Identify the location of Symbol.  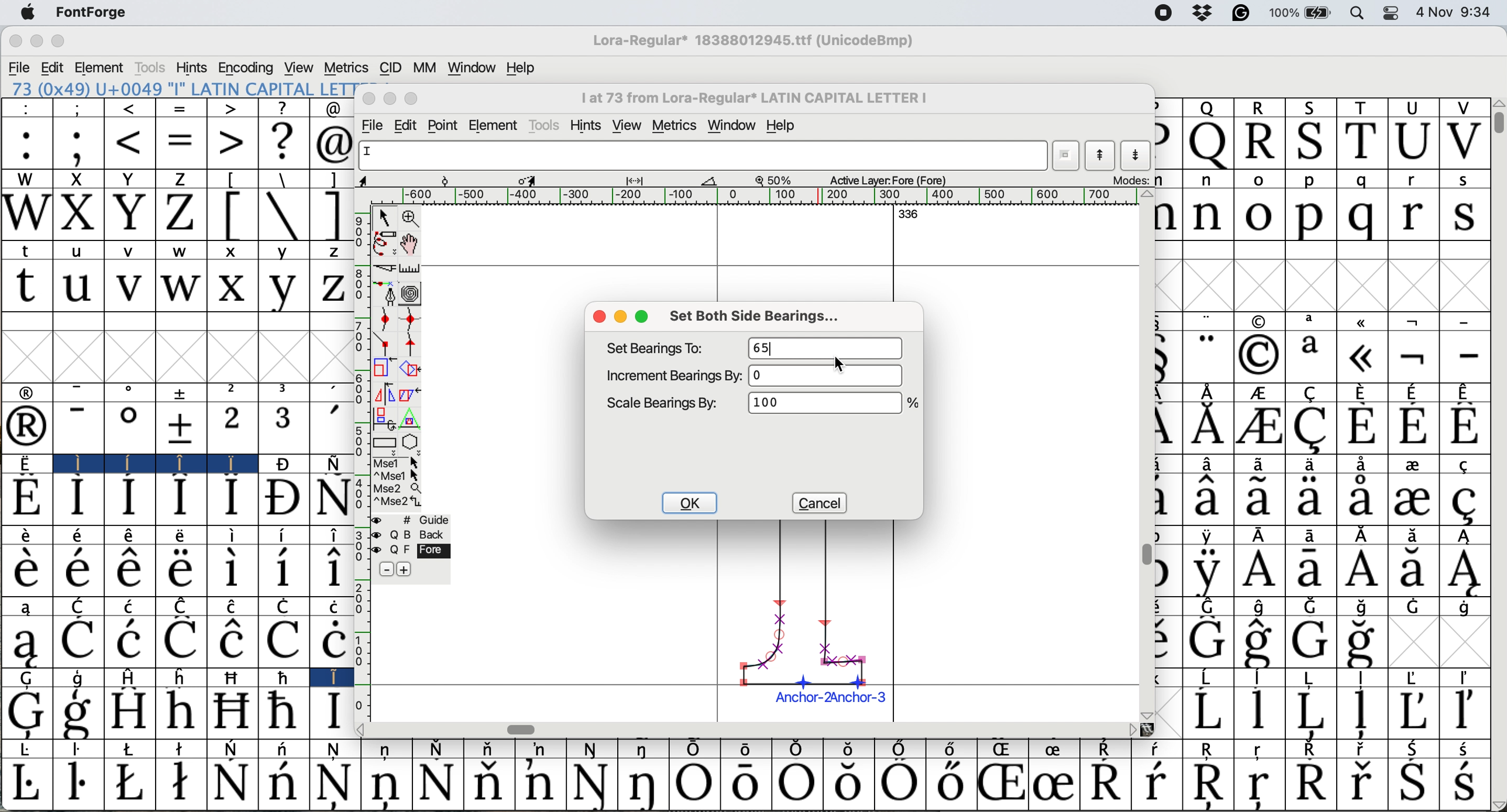
(331, 641).